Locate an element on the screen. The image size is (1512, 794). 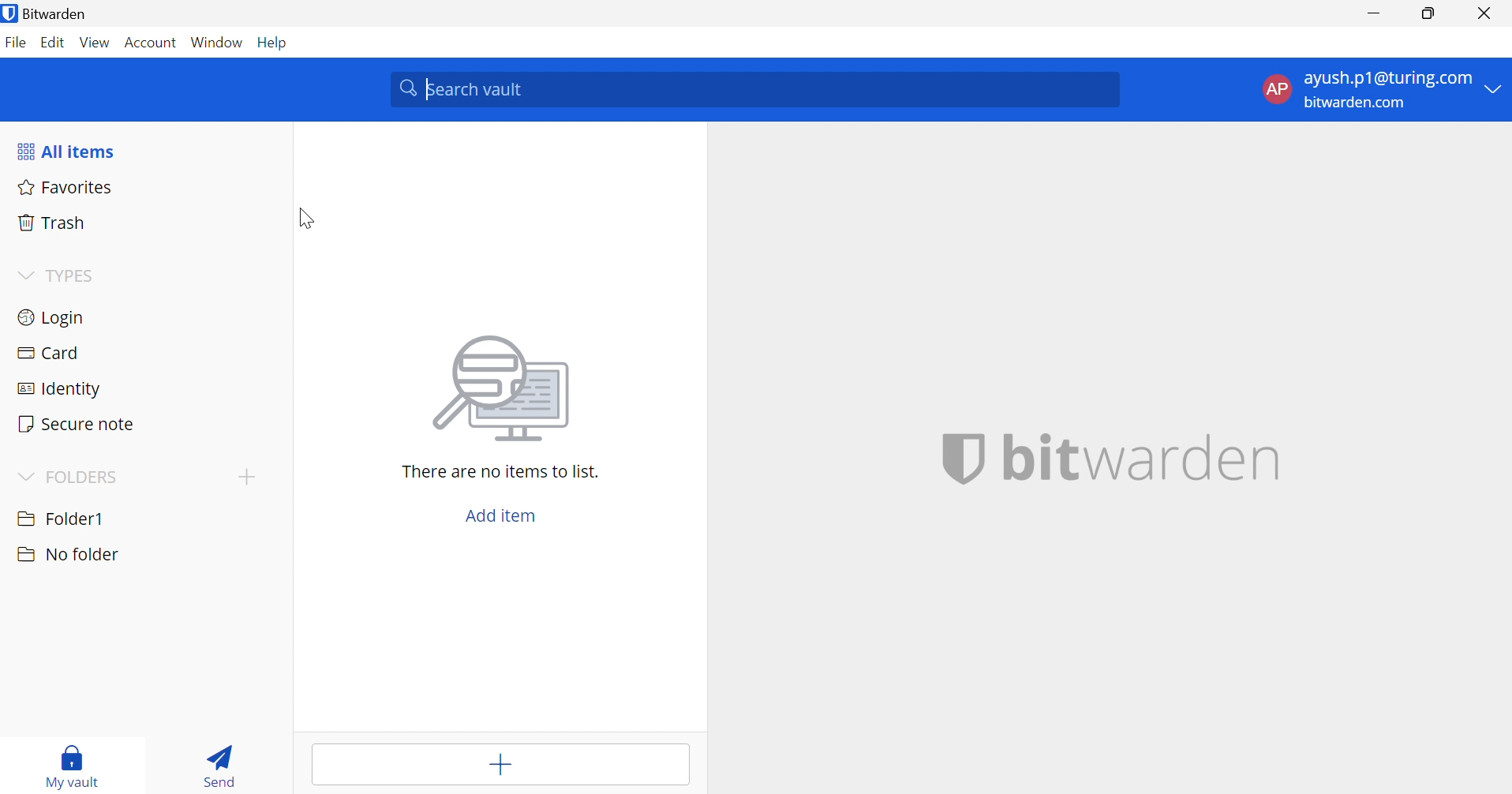
Edit is located at coordinates (54, 43).